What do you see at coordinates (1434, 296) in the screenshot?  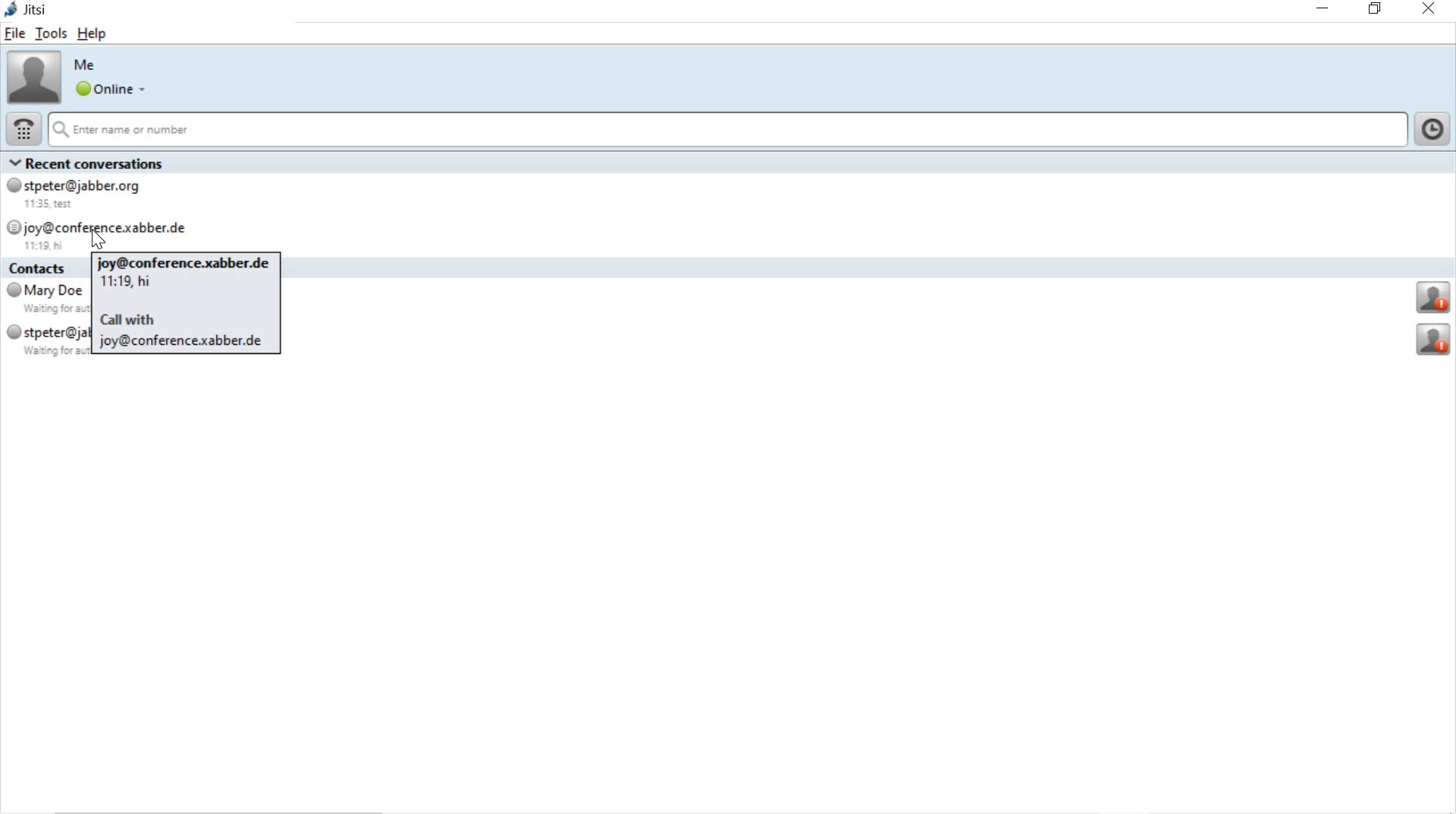 I see `profile` at bounding box center [1434, 296].